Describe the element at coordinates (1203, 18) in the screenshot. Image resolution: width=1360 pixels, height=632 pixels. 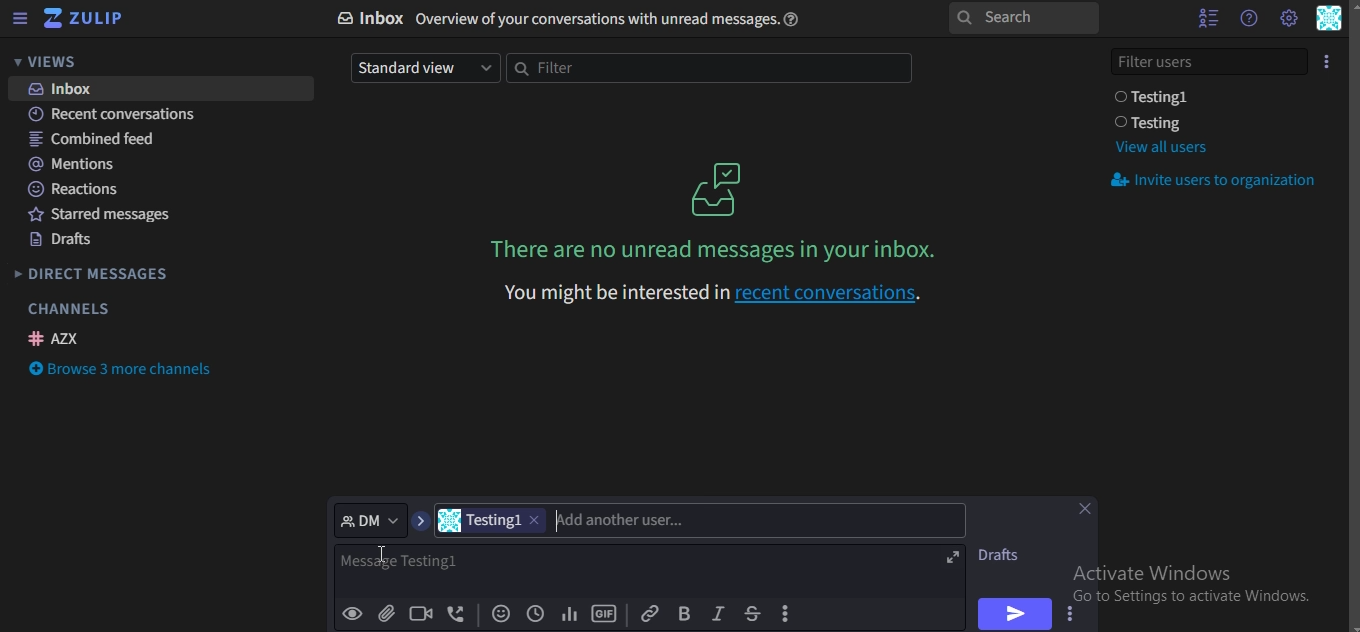
I see `hide userlist` at that location.